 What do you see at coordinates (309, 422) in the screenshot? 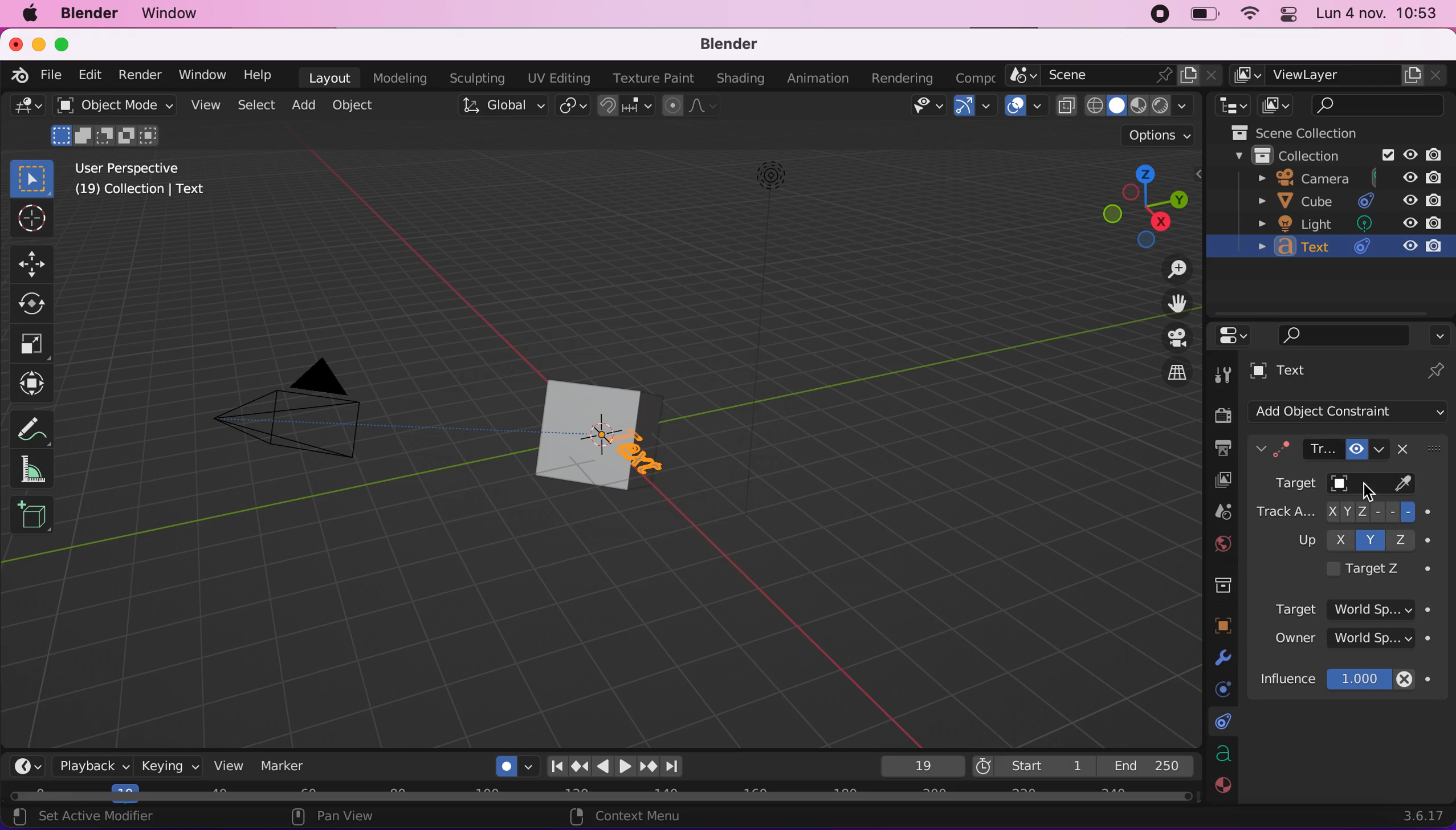
I see `camera` at bounding box center [309, 422].